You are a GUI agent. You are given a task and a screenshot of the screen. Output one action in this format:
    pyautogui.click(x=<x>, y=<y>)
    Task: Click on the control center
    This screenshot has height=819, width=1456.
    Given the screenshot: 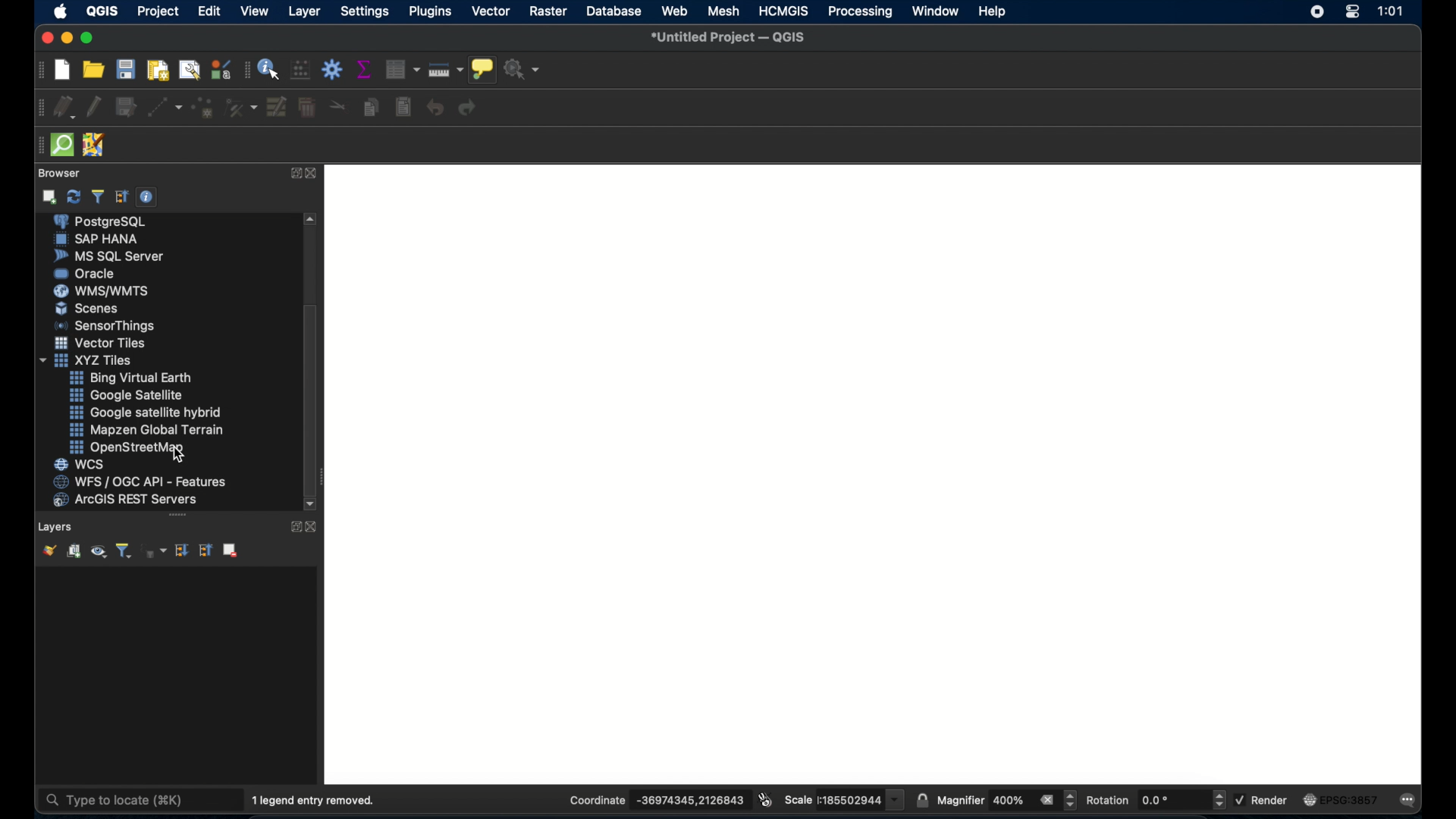 What is the action you would take?
    pyautogui.click(x=1352, y=13)
    